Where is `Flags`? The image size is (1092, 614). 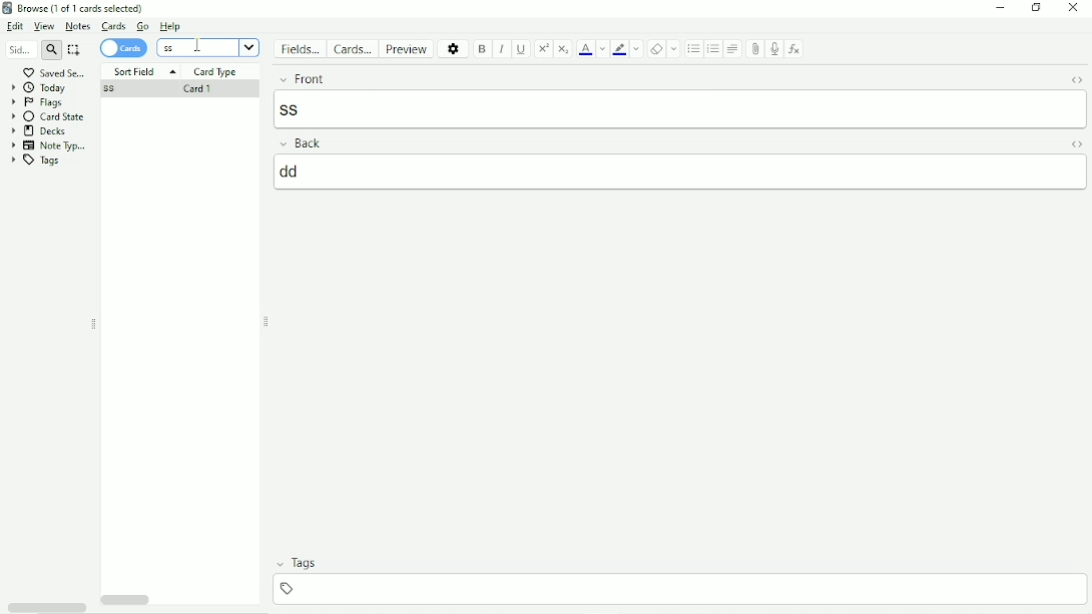 Flags is located at coordinates (37, 102).